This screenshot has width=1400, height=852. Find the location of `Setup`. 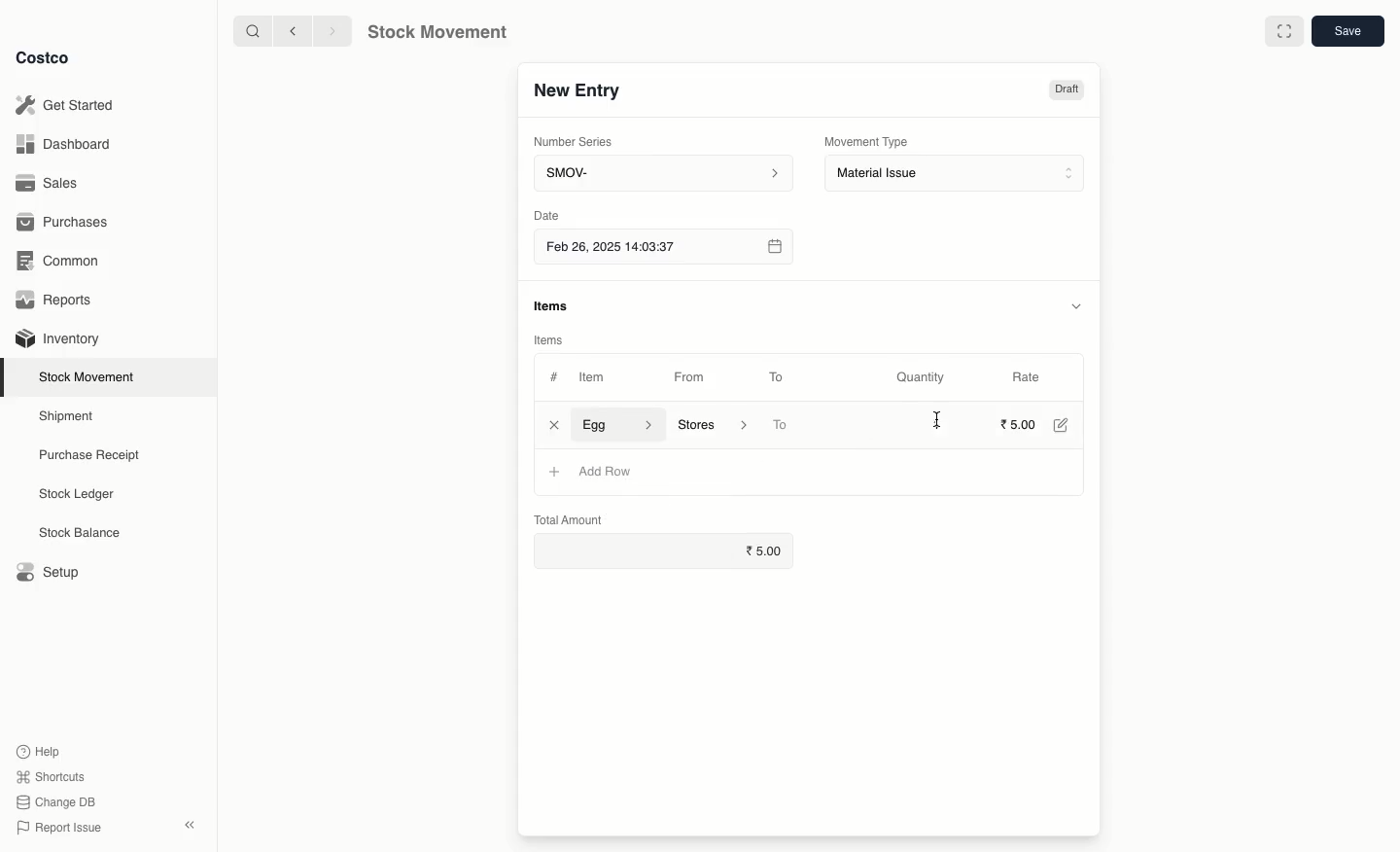

Setup is located at coordinates (46, 570).